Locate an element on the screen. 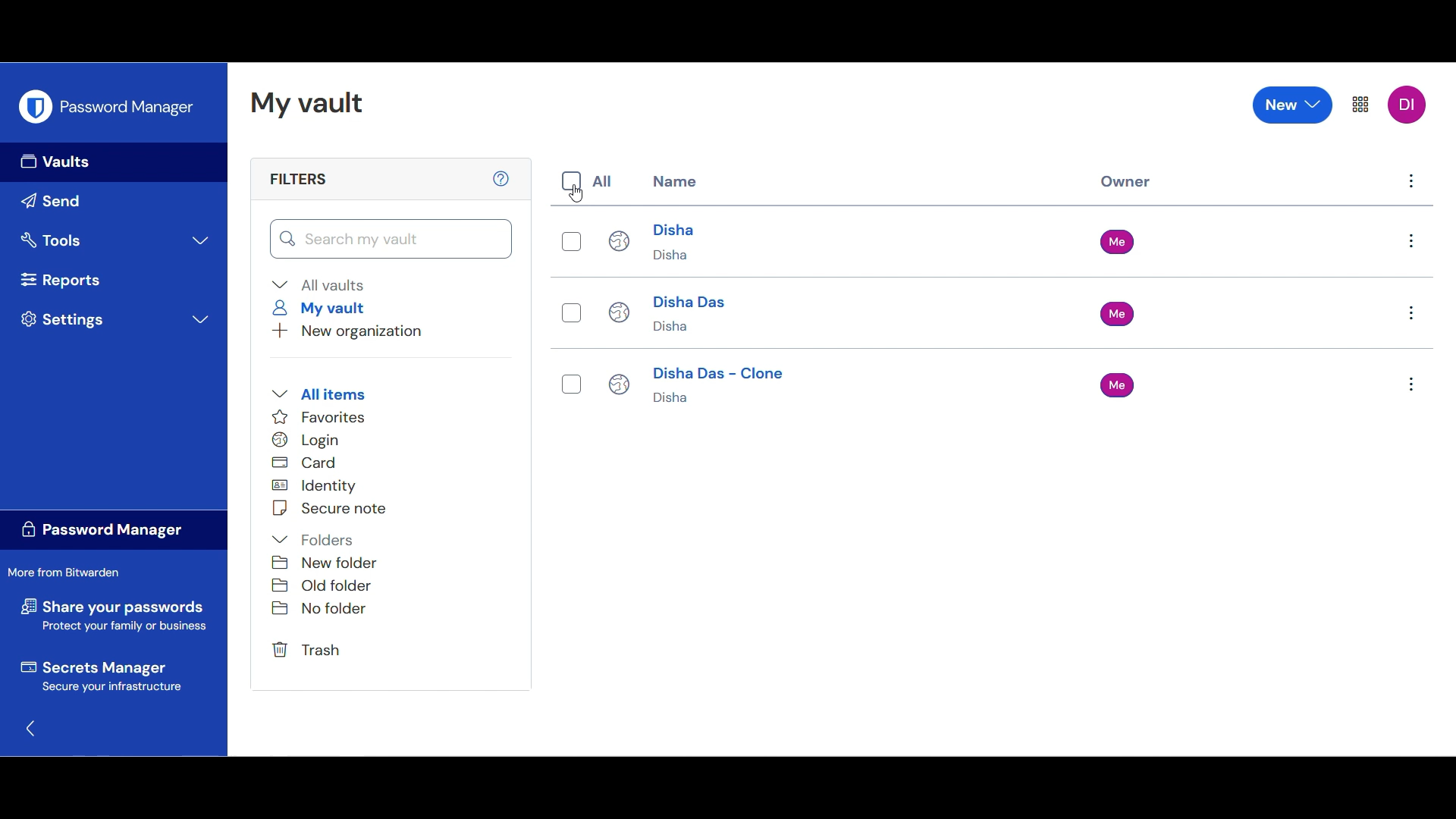  Secrets Manager      Secure your infrastucture is located at coordinates (100, 679).